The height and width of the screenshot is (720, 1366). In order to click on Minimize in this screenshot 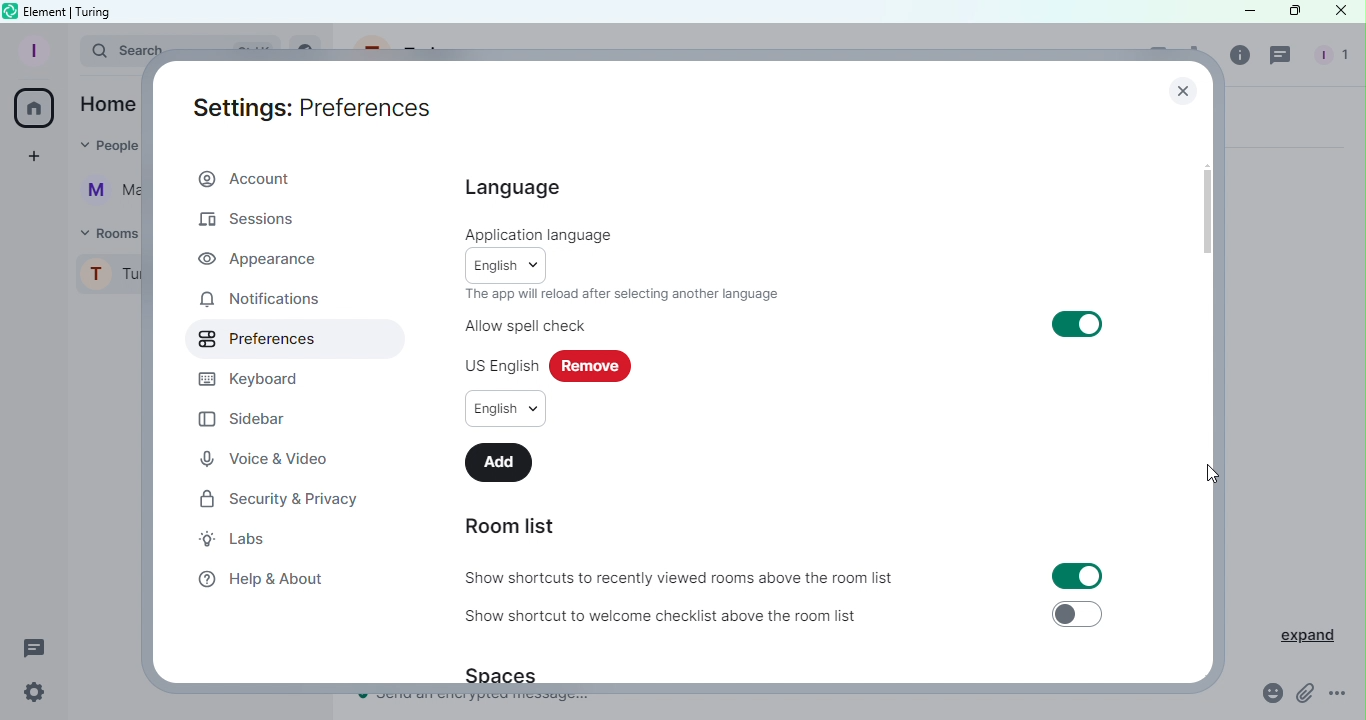, I will do `click(1245, 12)`.